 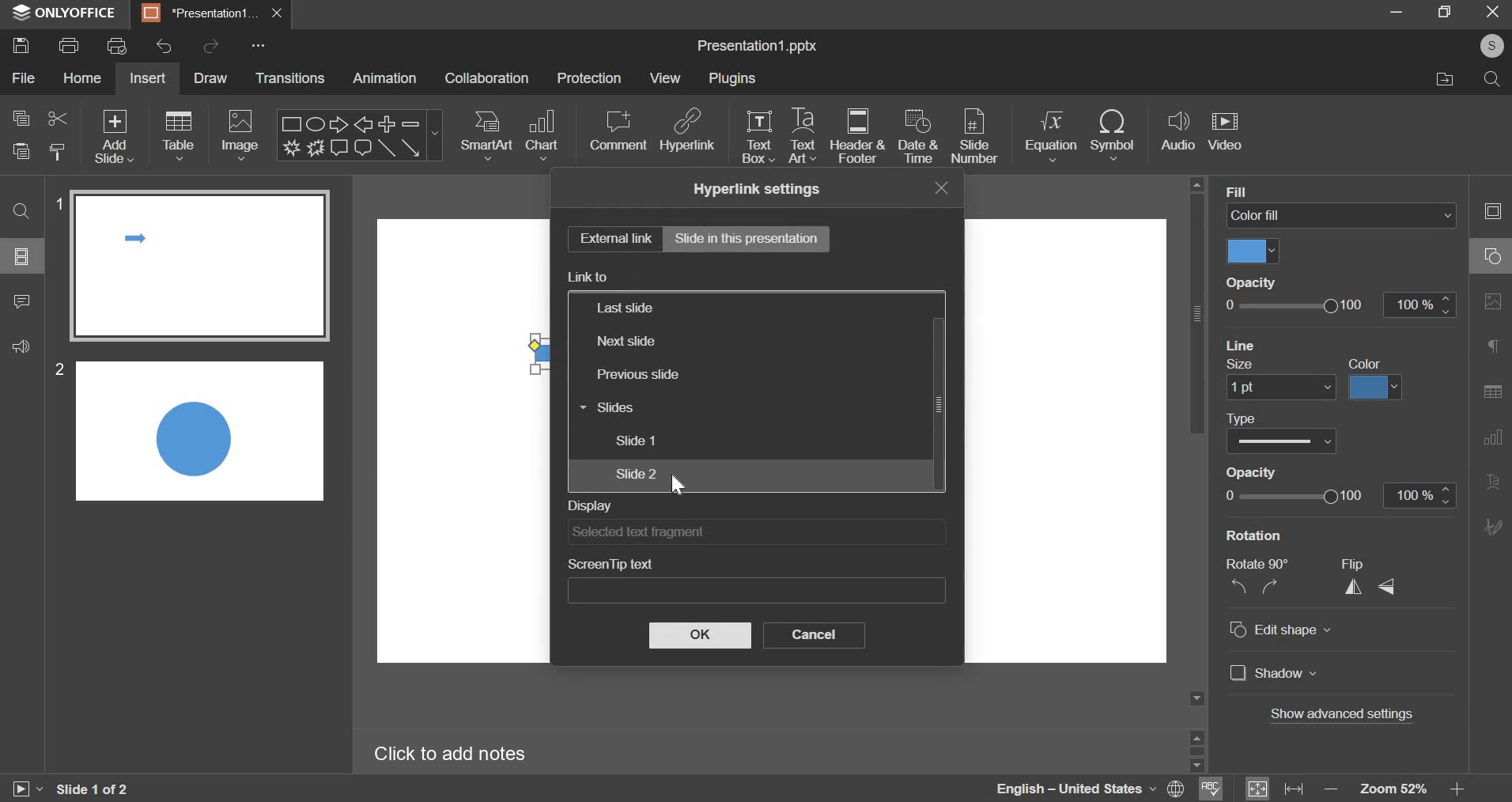 What do you see at coordinates (974, 137) in the screenshot?
I see `slide number` at bounding box center [974, 137].